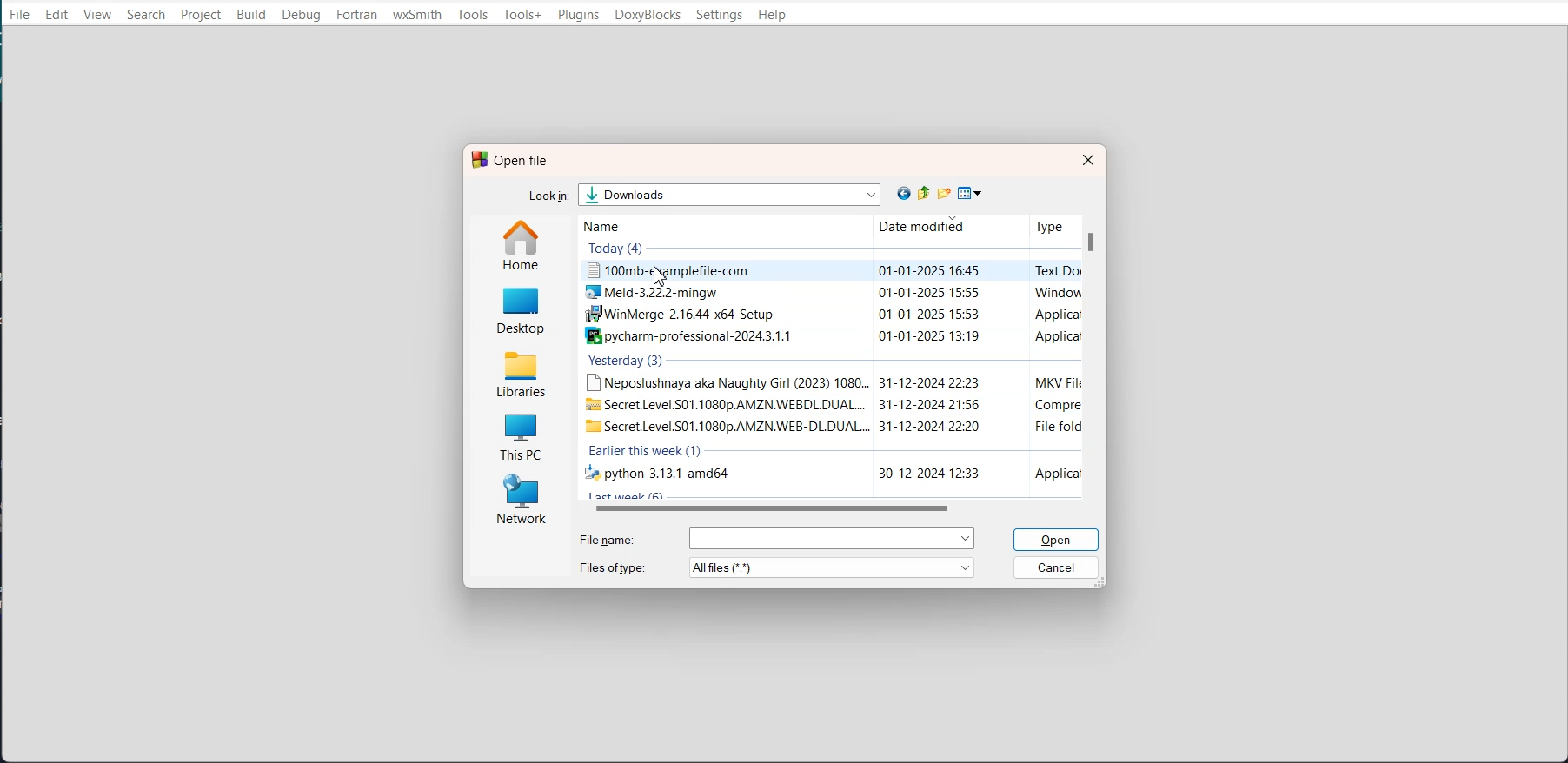 This screenshot has height=763, width=1568. I want to click on Tools+, so click(523, 15).